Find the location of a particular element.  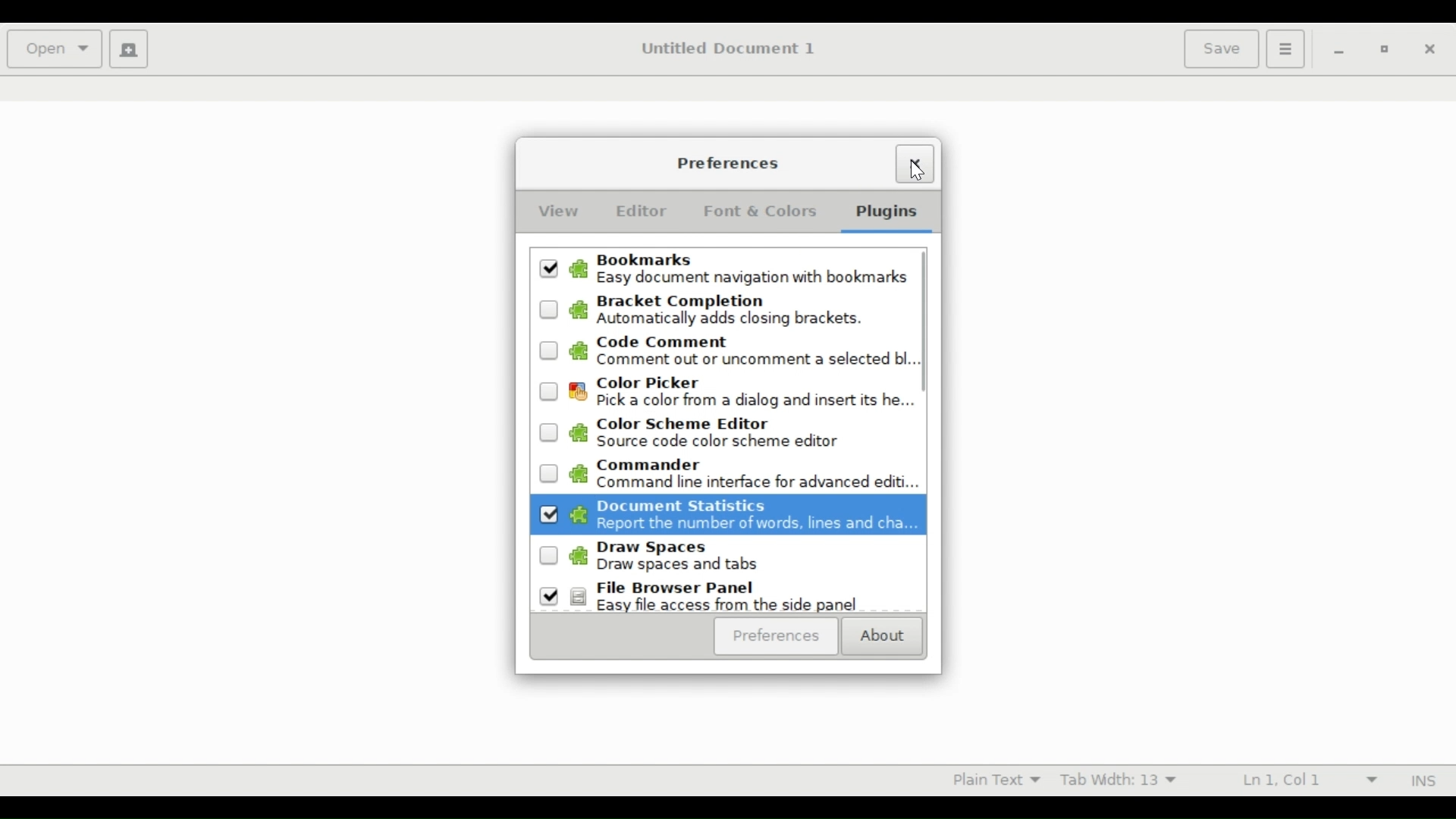

Editor is located at coordinates (642, 211).